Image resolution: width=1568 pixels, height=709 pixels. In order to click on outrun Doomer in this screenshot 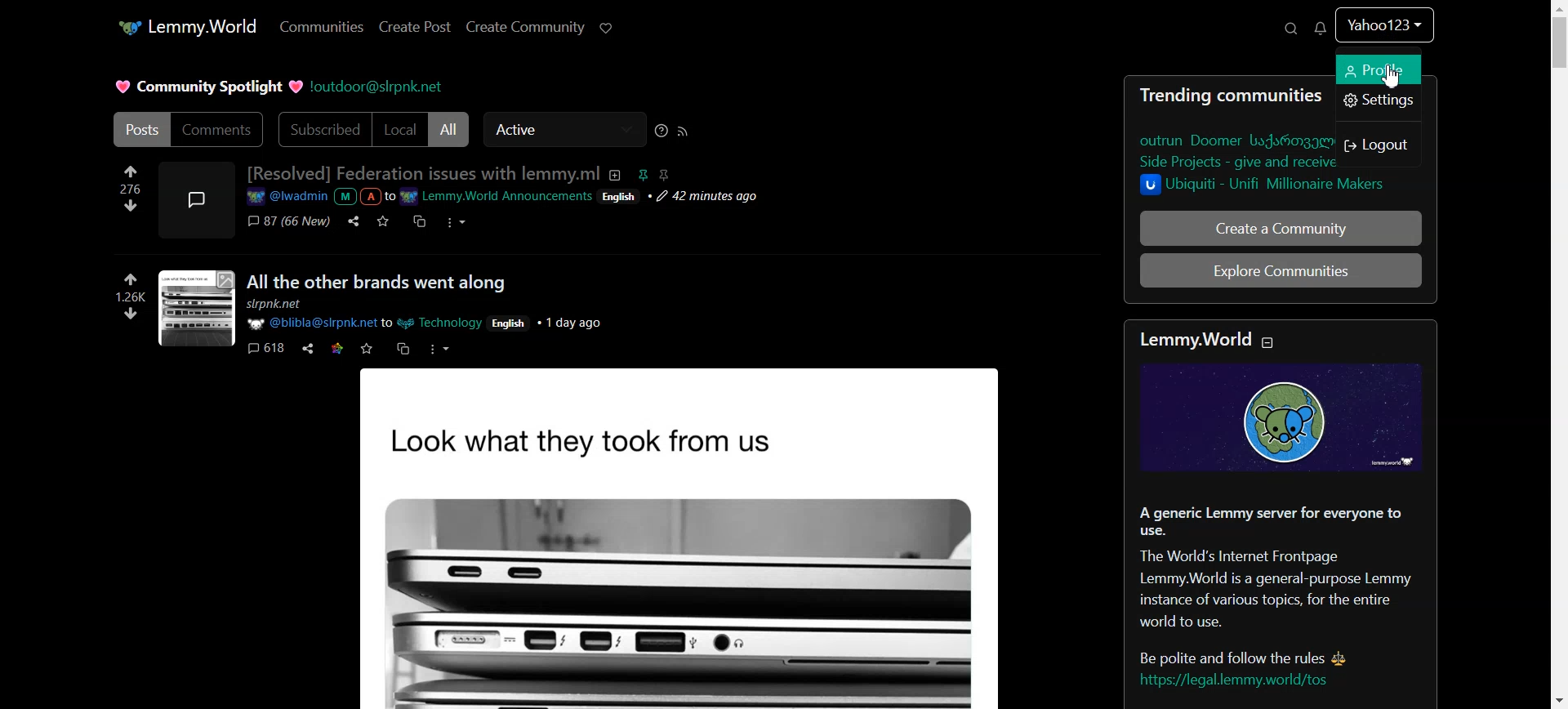, I will do `click(1235, 140)`.